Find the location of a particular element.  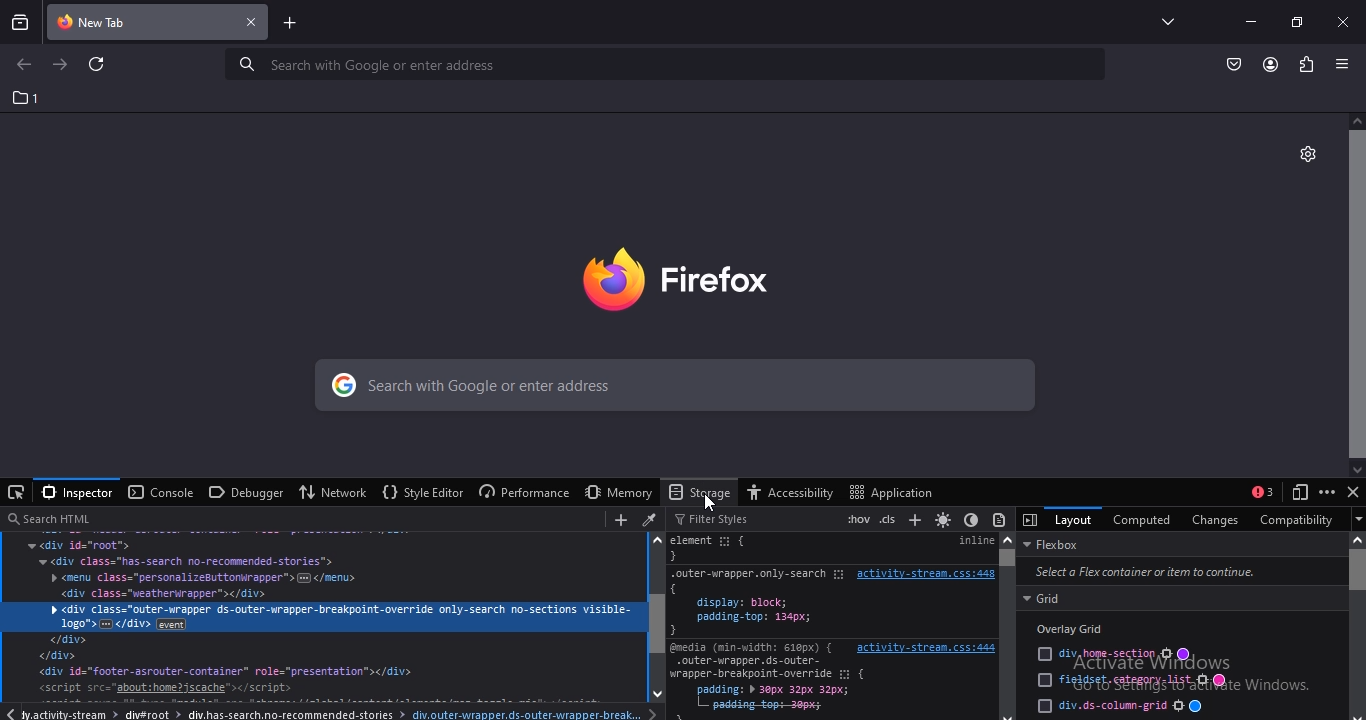

toggle psuedo classes is located at coordinates (856, 518).